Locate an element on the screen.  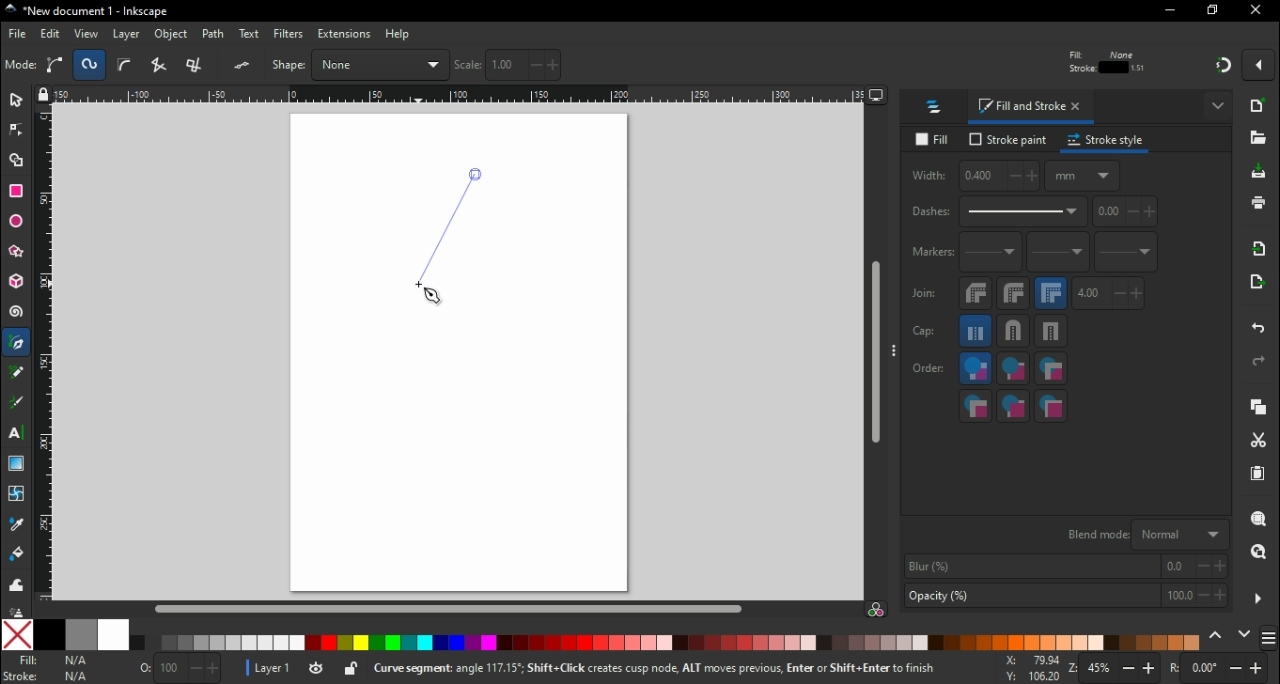
zoom im/zoom out is located at coordinates (1115, 667).